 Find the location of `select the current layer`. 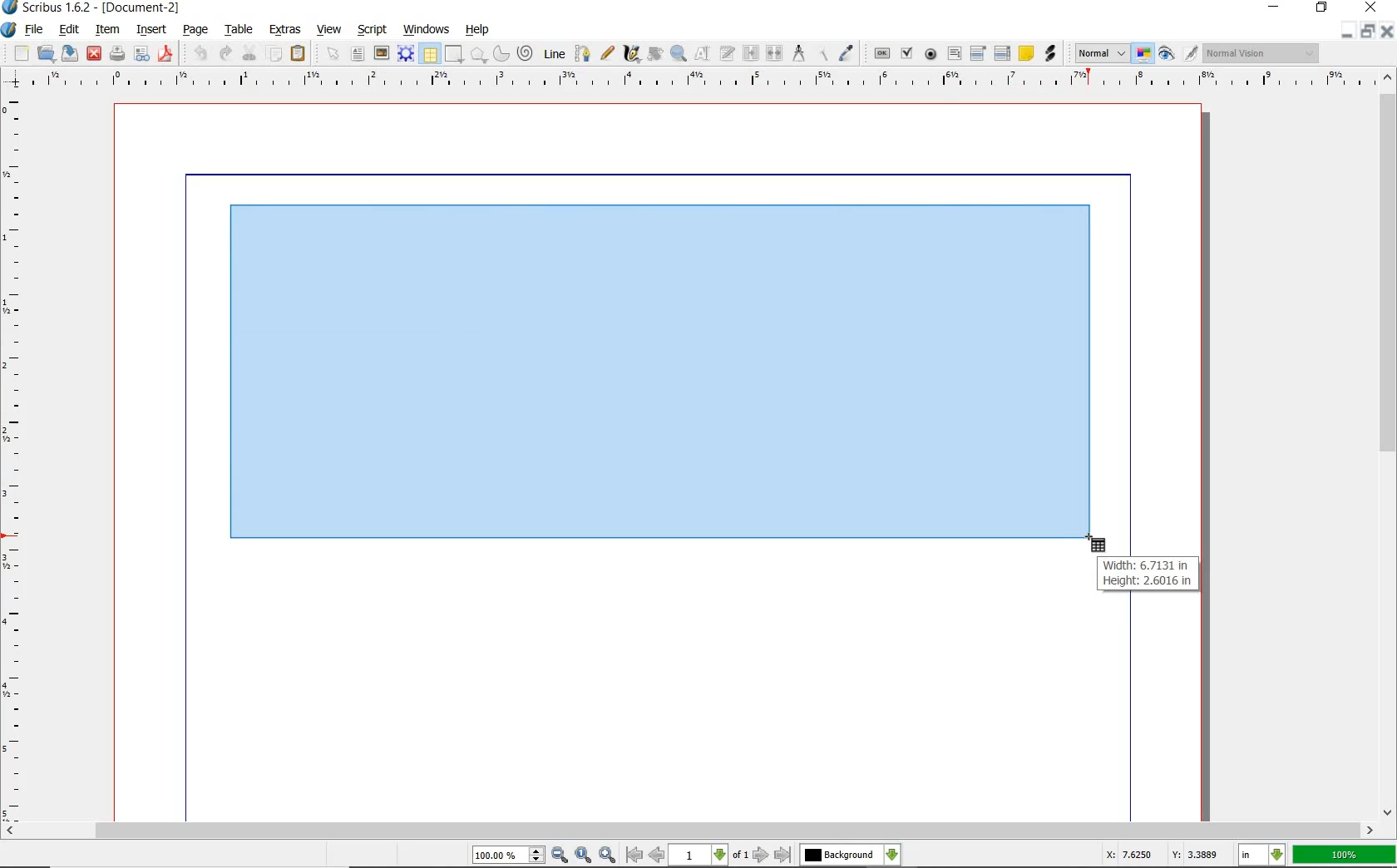

select the current layer is located at coordinates (850, 856).